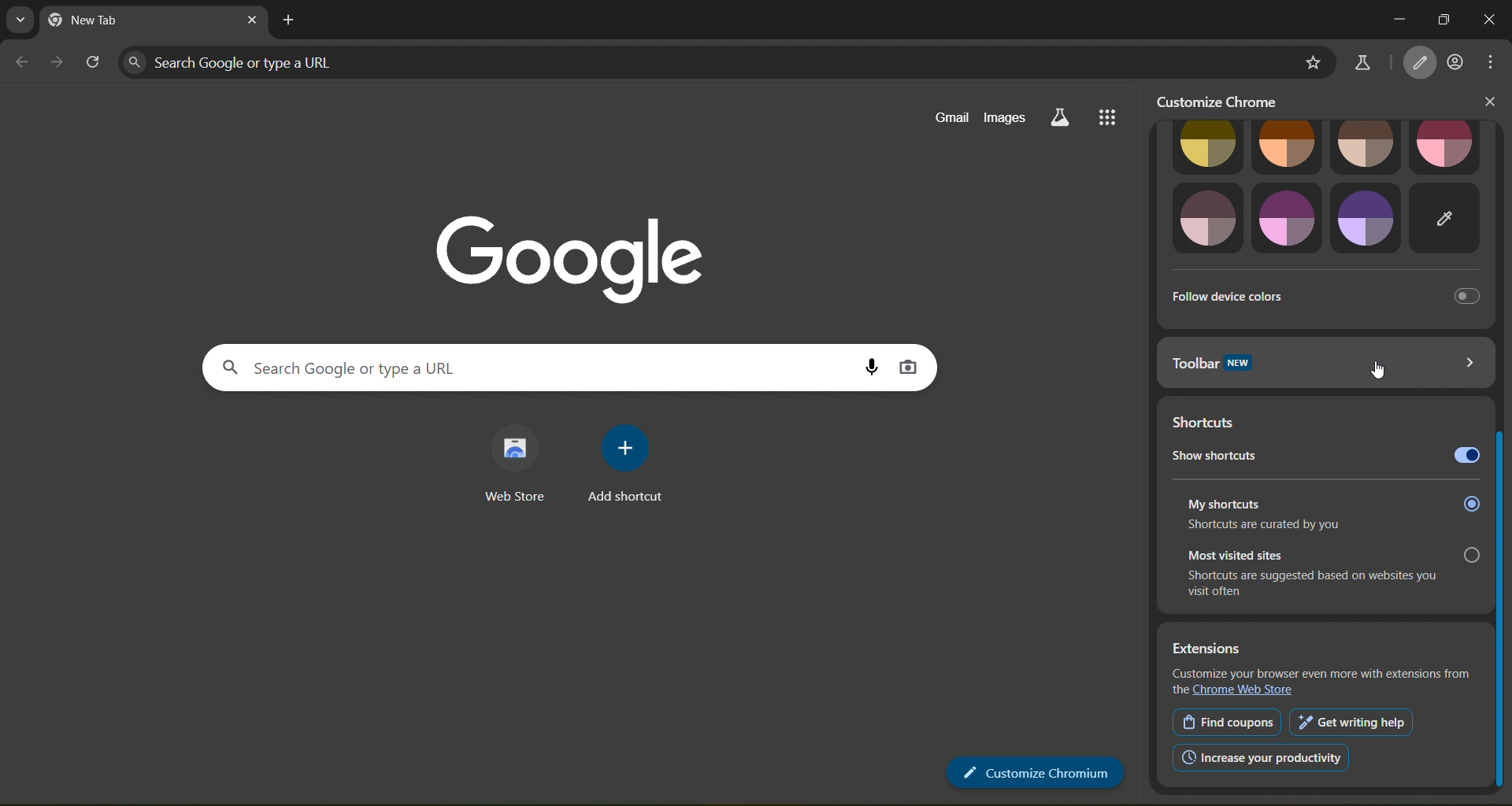 Image resolution: width=1512 pixels, height=806 pixels. Describe the element at coordinates (1325, 363) in the screenshot. I see `toolbar` at that location.